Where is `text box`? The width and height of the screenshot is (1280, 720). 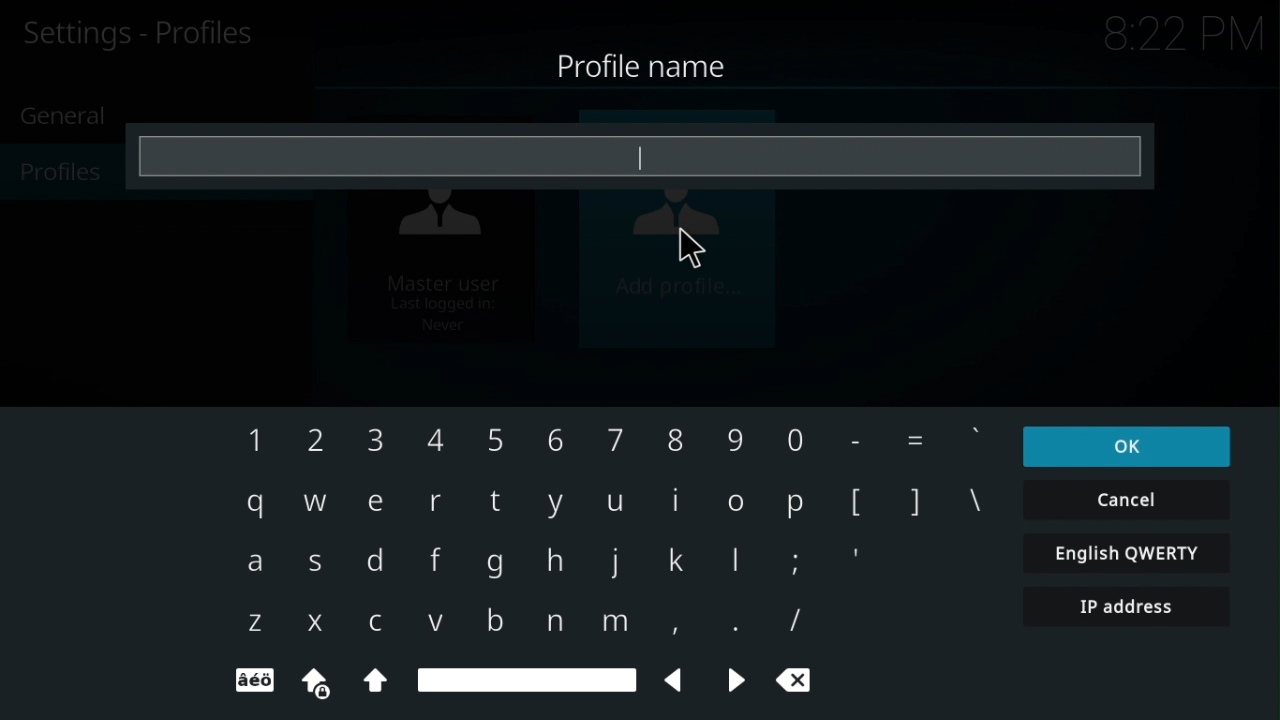
text box is located at coordinates (639, 158).